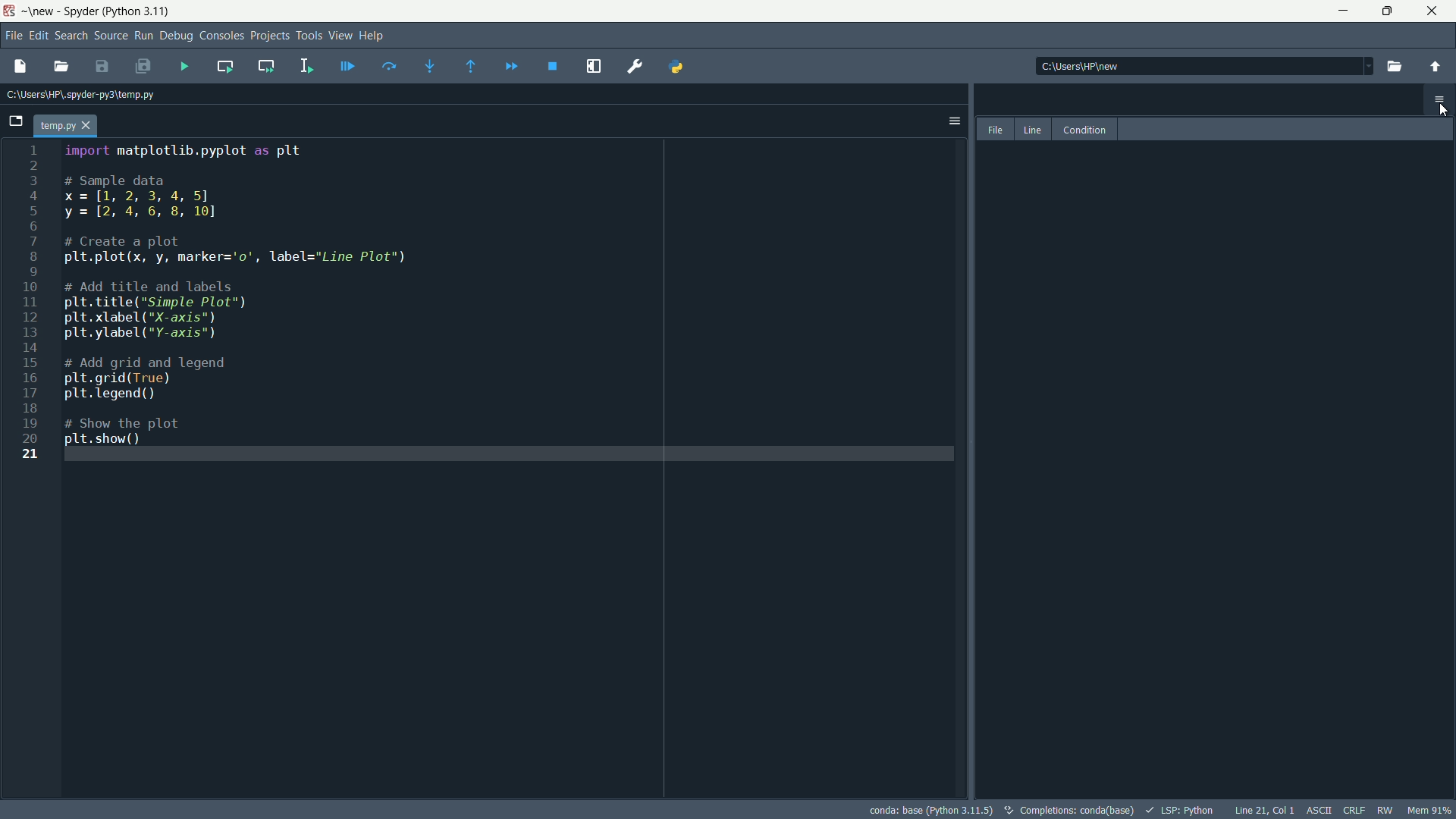 The image size is (1456, 819). I want to click on condition, so click(1089, 129).